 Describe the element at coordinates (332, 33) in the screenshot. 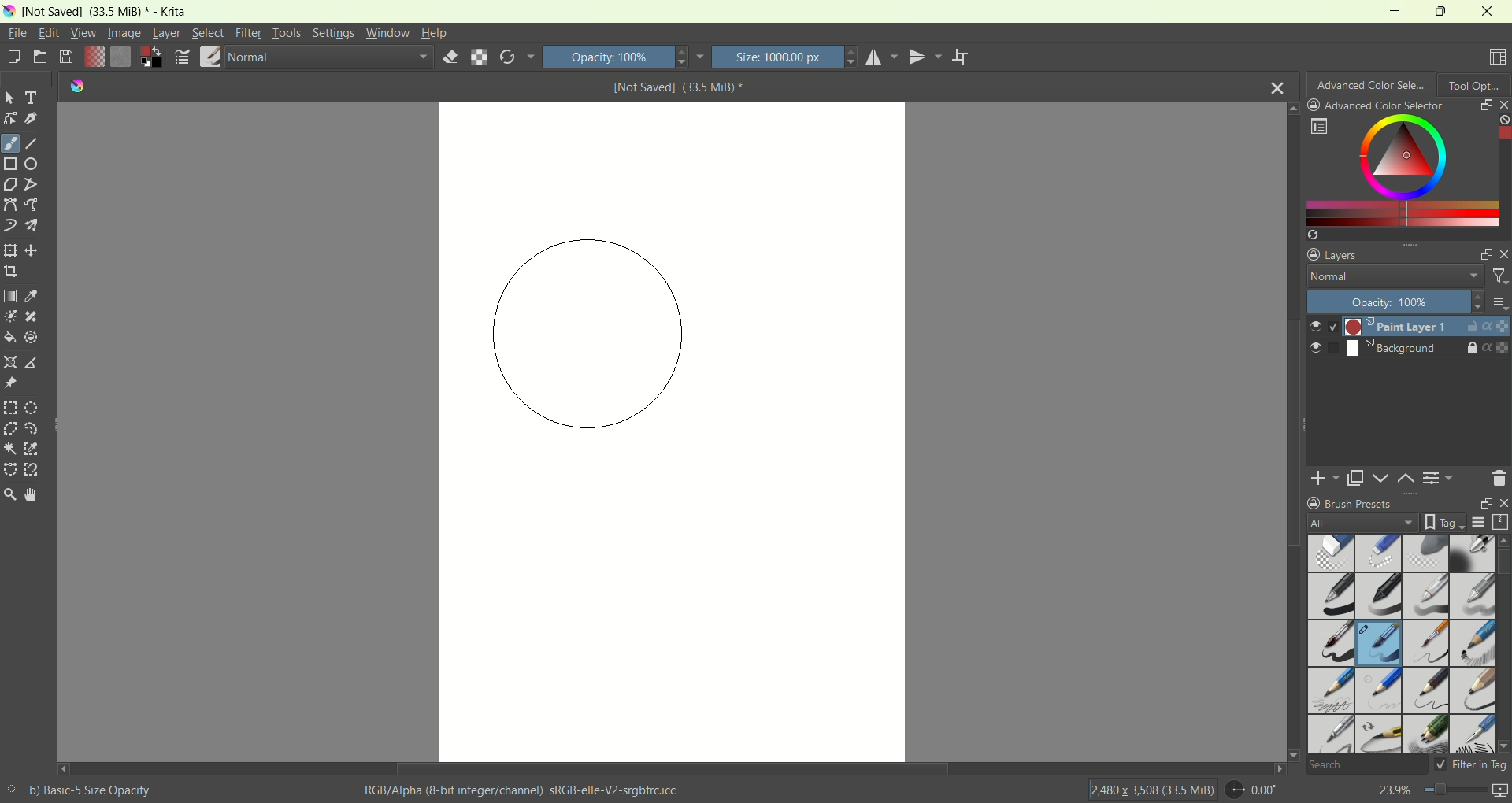

I see `settings` at that location.